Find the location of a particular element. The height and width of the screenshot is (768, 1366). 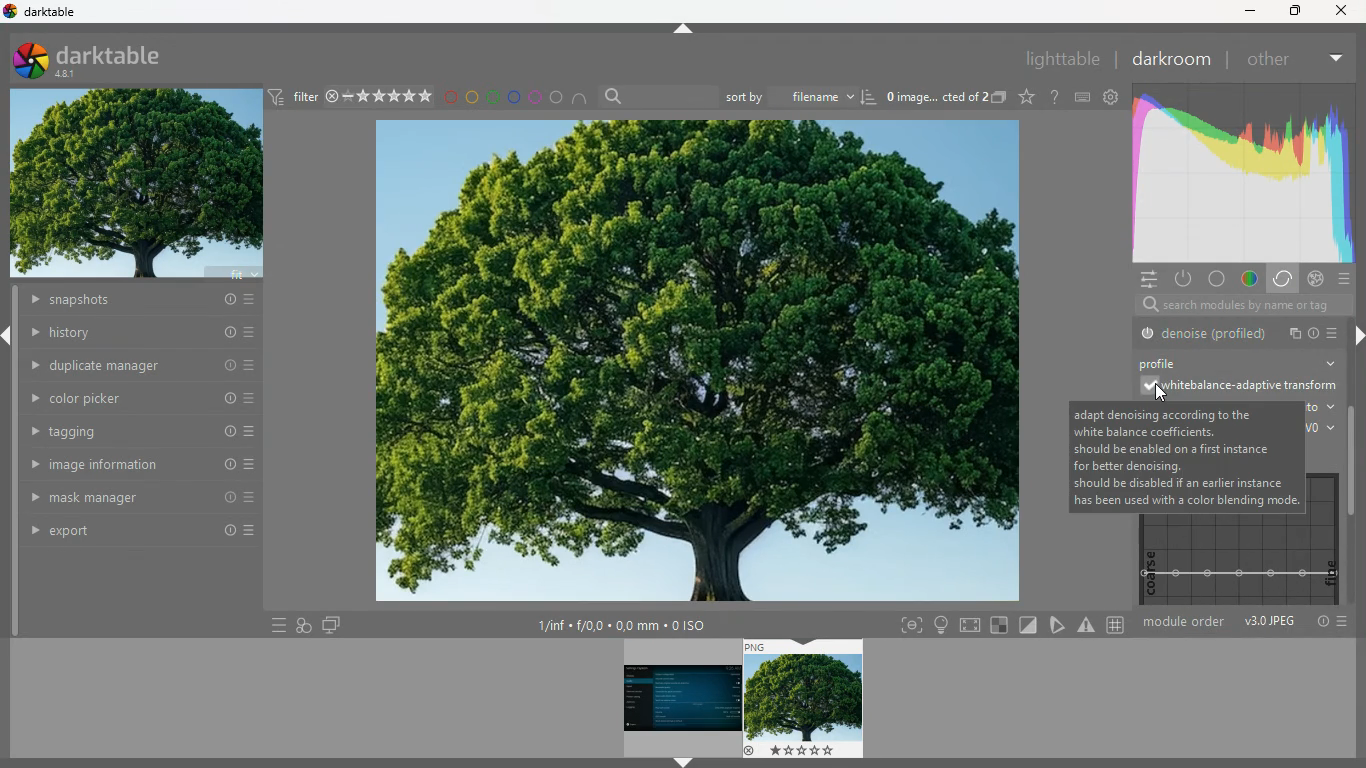

keyboard is located at coordinates (1083, 97).